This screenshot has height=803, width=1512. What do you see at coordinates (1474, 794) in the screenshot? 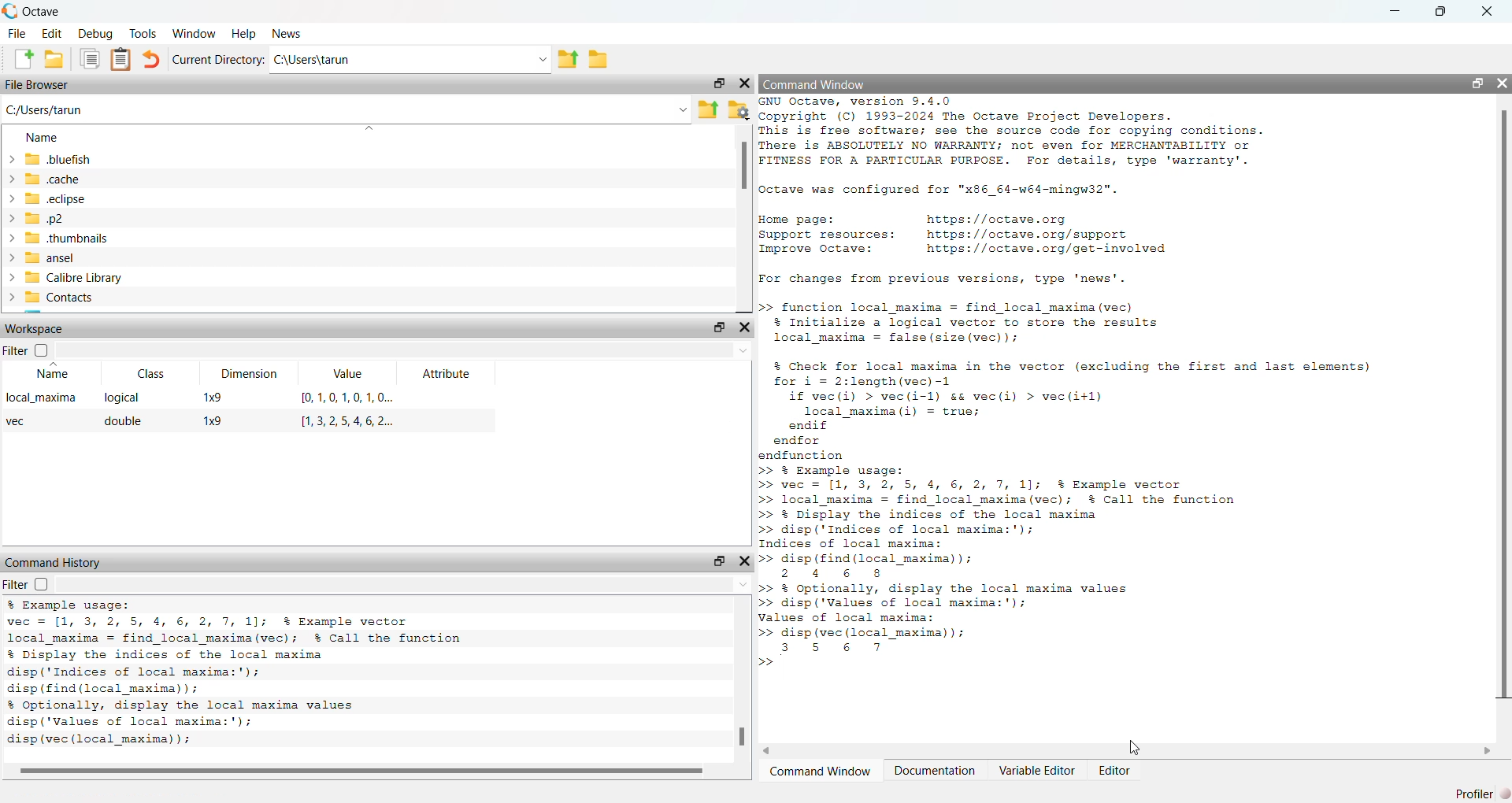
I see `Profiler` at bounding box center [1474, 794].